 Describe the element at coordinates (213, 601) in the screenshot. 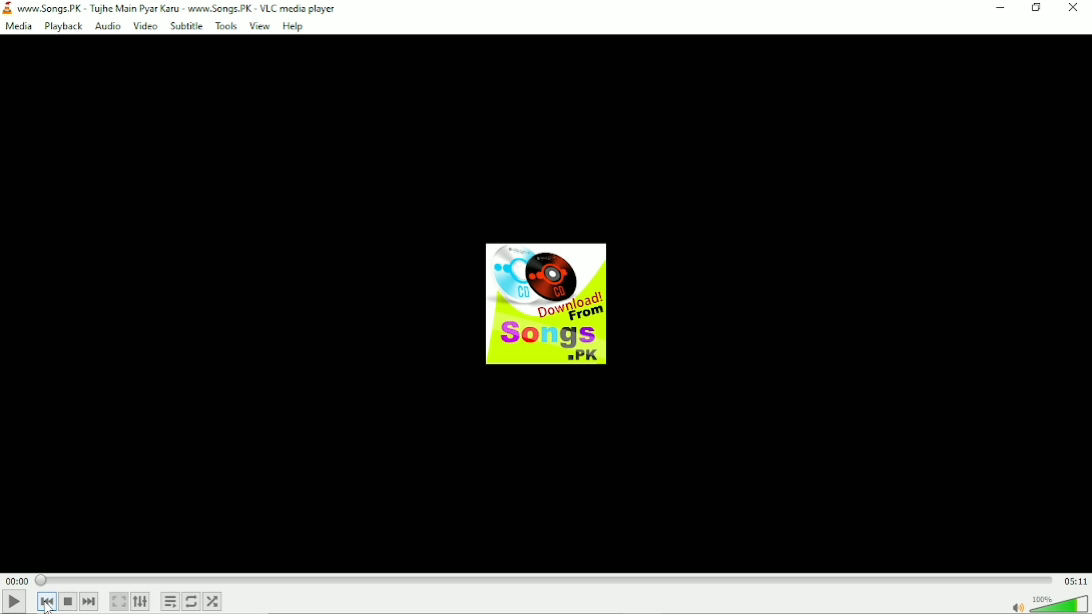

I see `Random` at that location.